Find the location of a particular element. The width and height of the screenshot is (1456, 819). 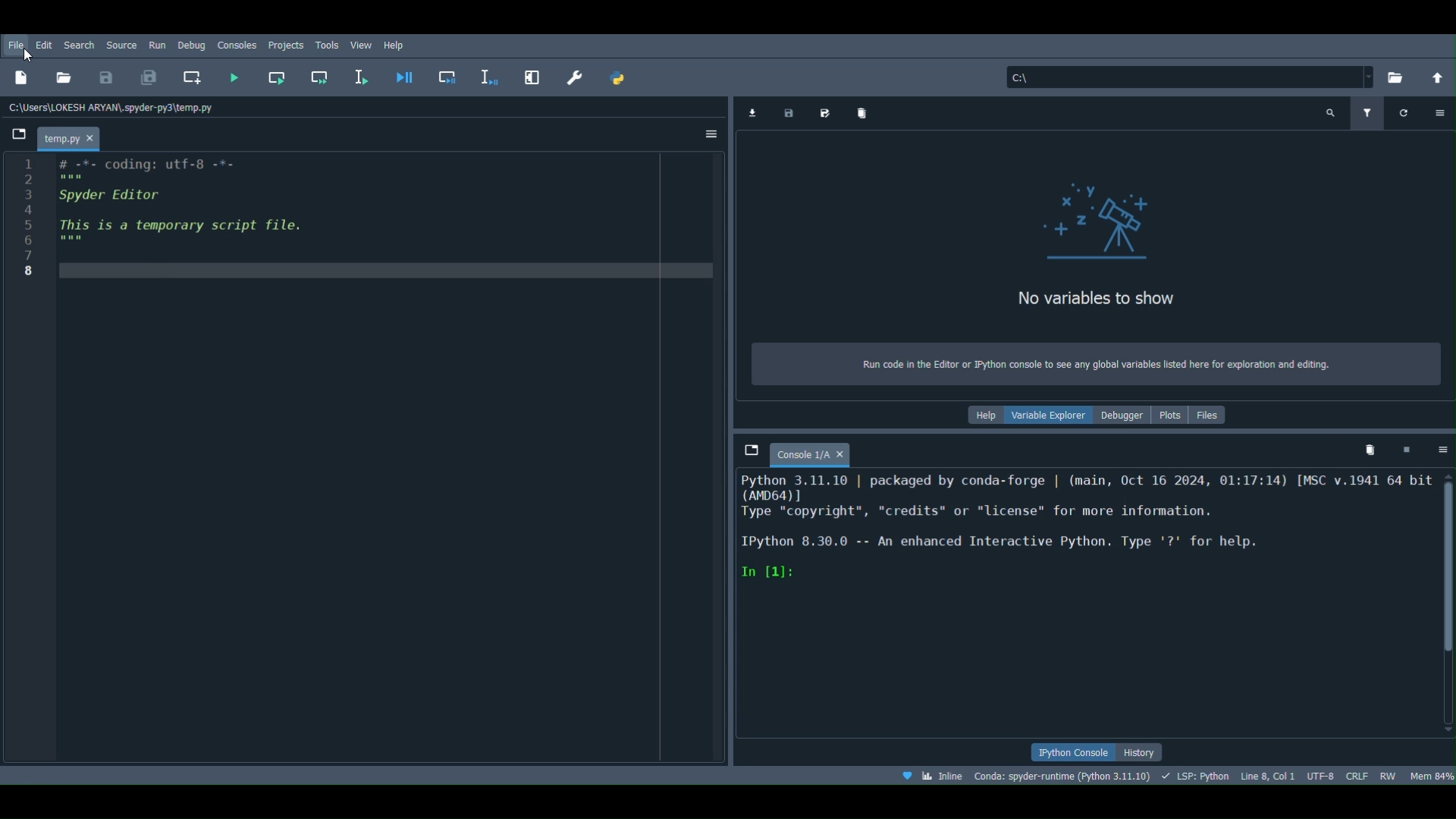

Maximize current pane (Ctrl + Alt + Shift + M) is located at coordinates (529, 75).